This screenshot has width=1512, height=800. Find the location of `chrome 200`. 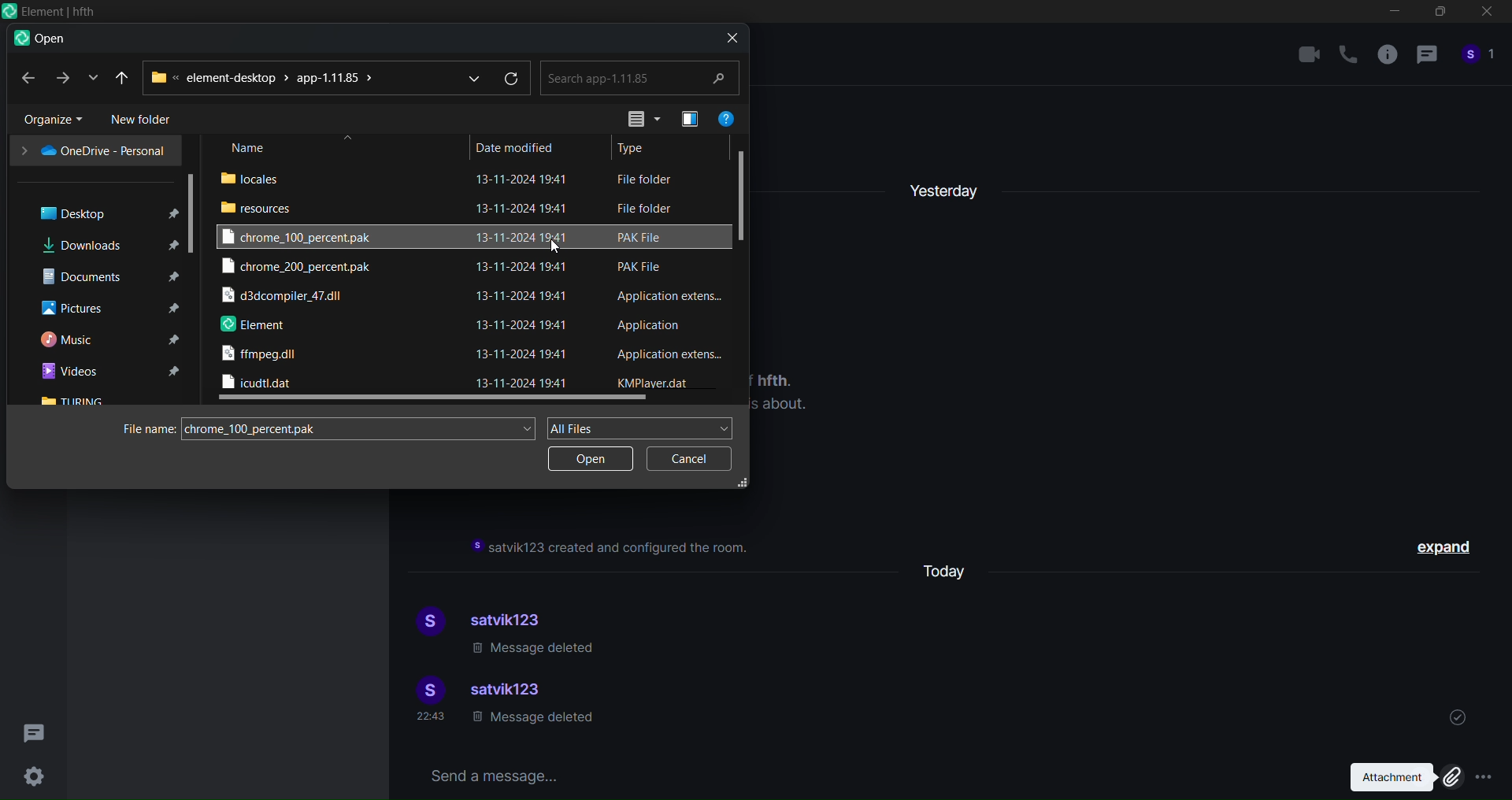

chrome 200 is located at coordinates (298, 269).